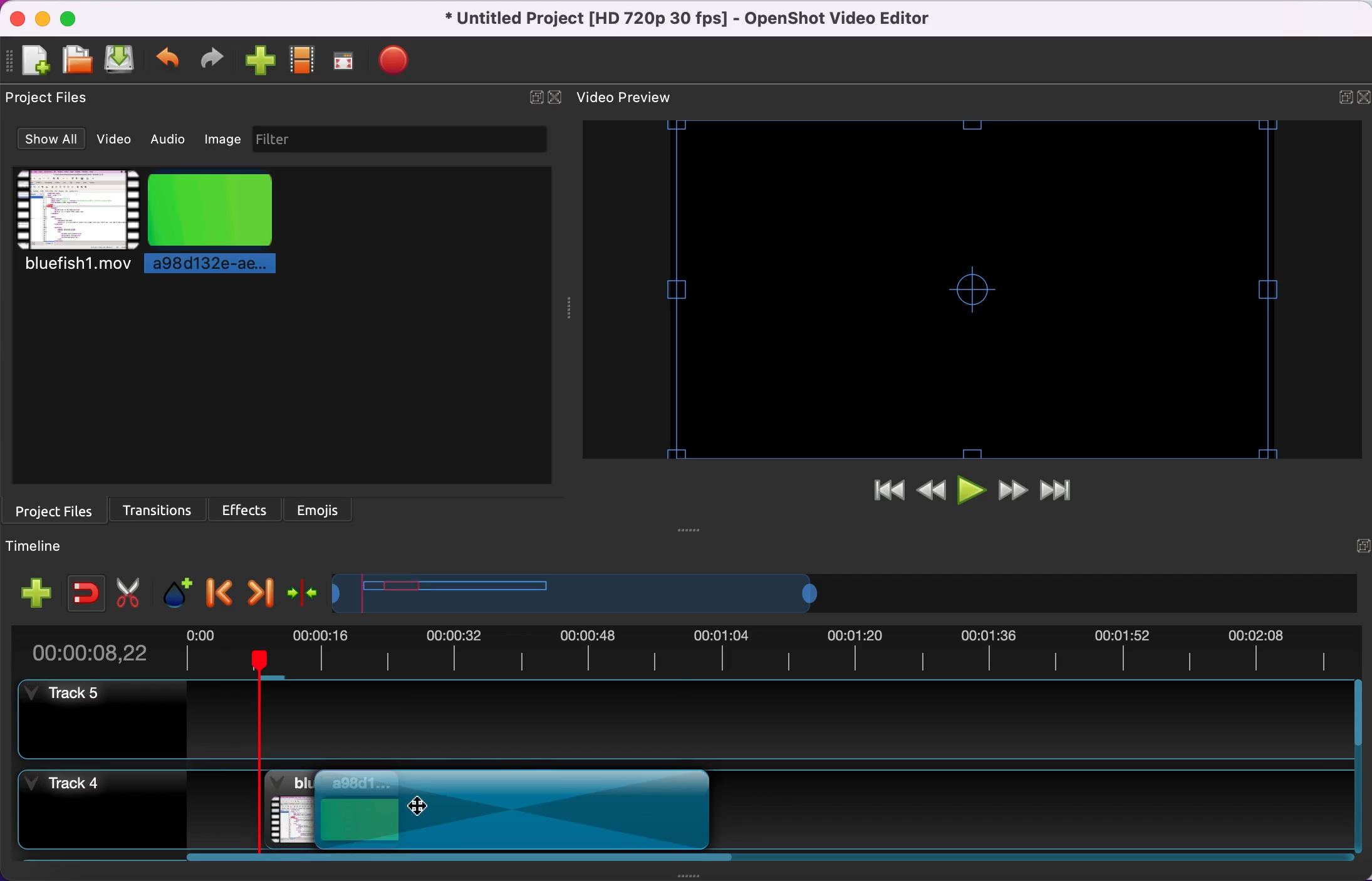  Describe the element at coordinates (97, 807) in the screenshot. I see `track 4` at that location.